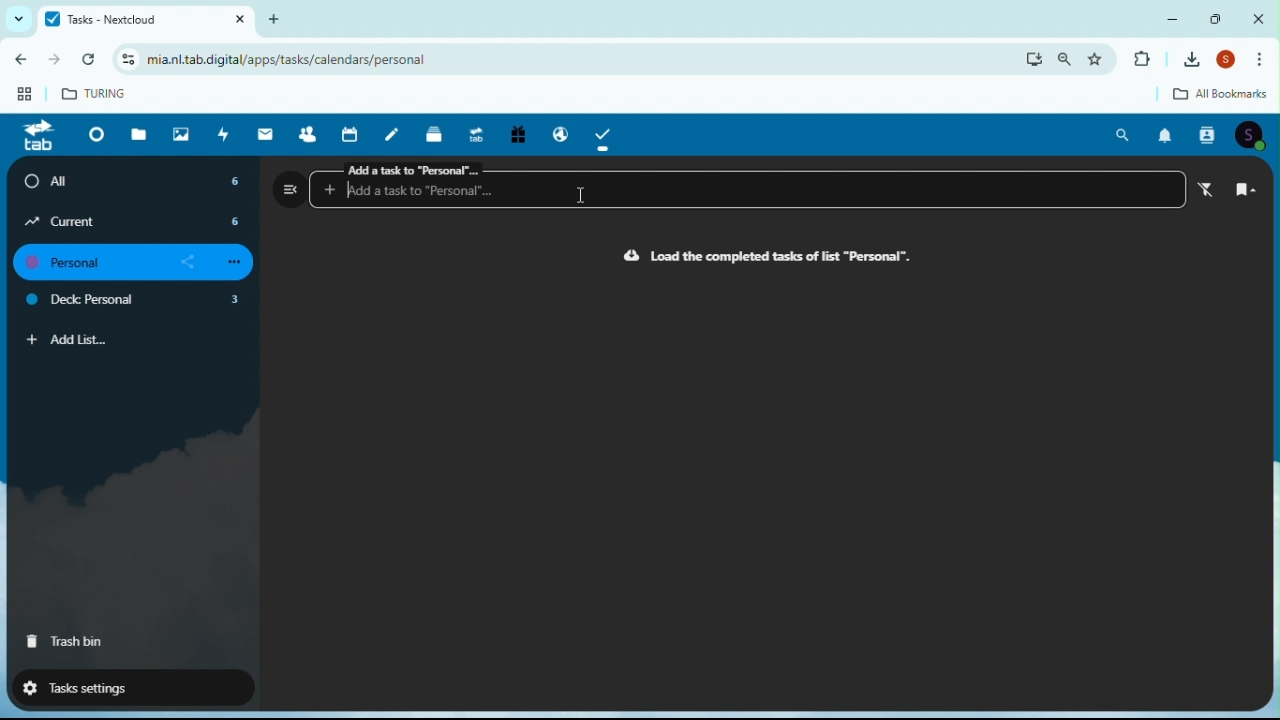 The width and height of the screenshot is (1280, 720). What do you see at coordinates (15, 19) in the screenshot?
I see `dropdown` at bounding box center [15, 19].